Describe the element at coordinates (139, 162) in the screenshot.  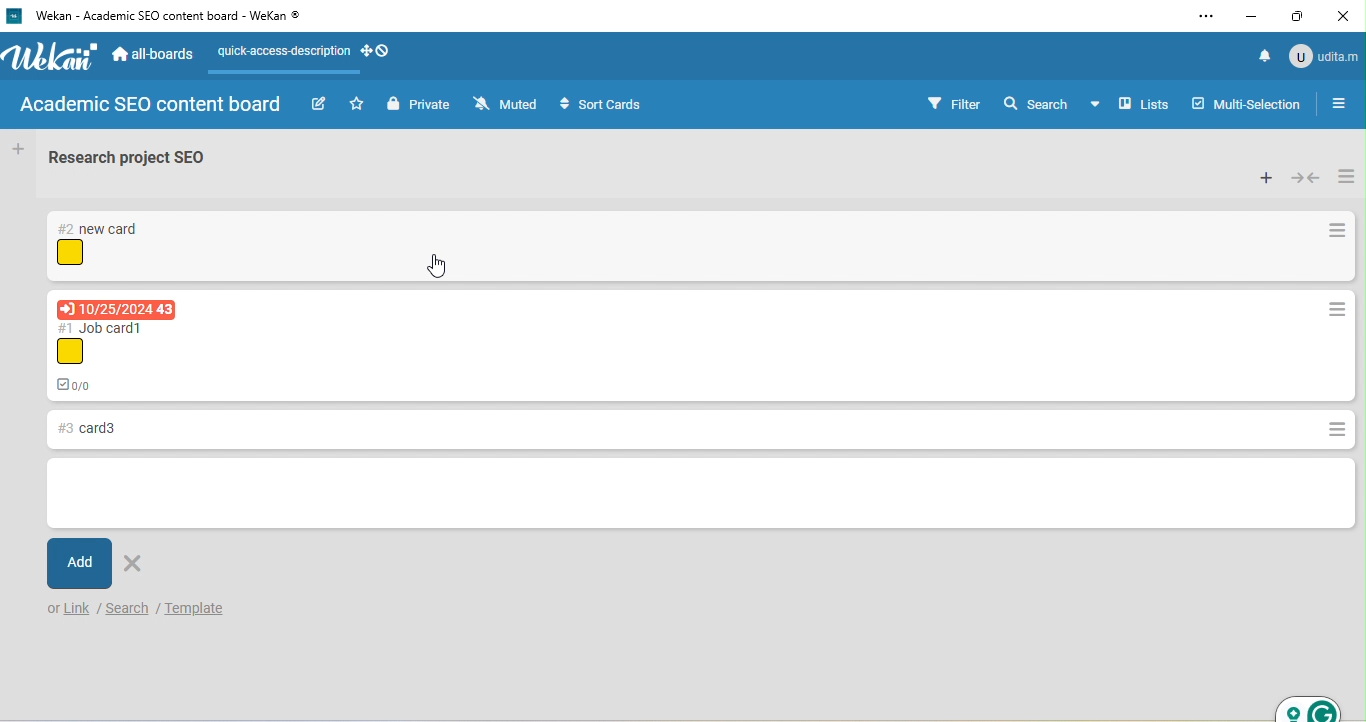
I see `list name: research project SEO` at that location.